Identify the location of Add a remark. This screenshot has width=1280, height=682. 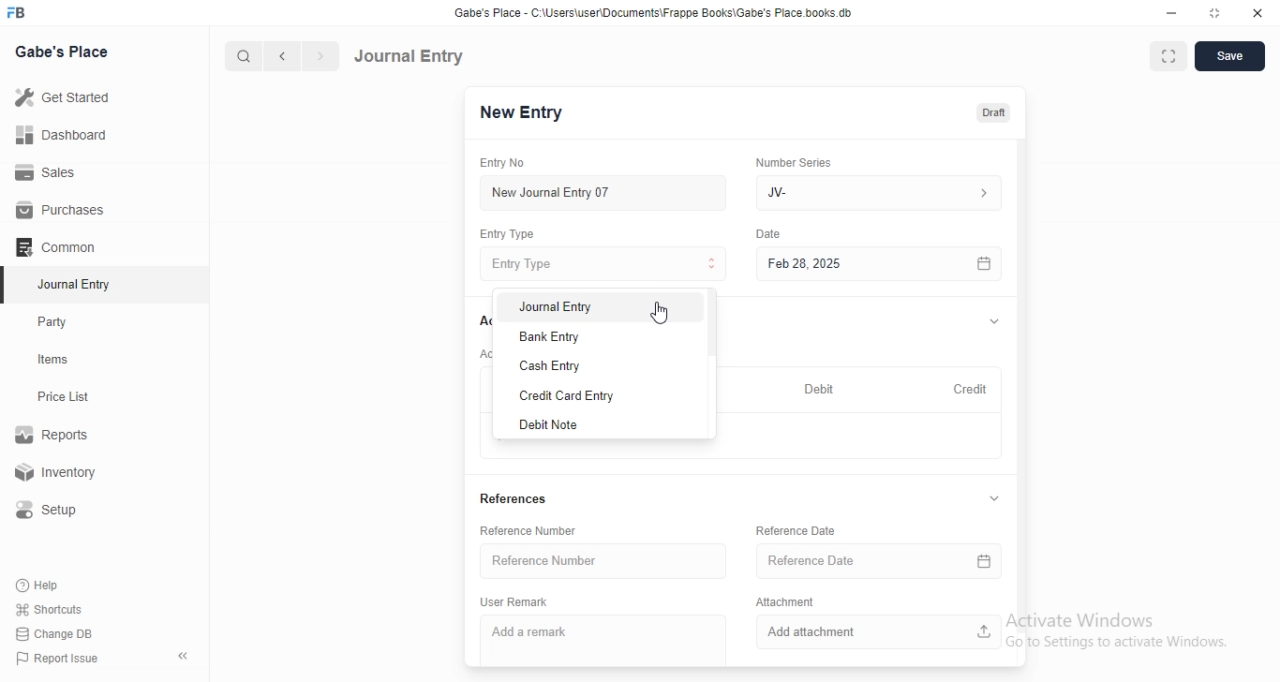
(540, 632).